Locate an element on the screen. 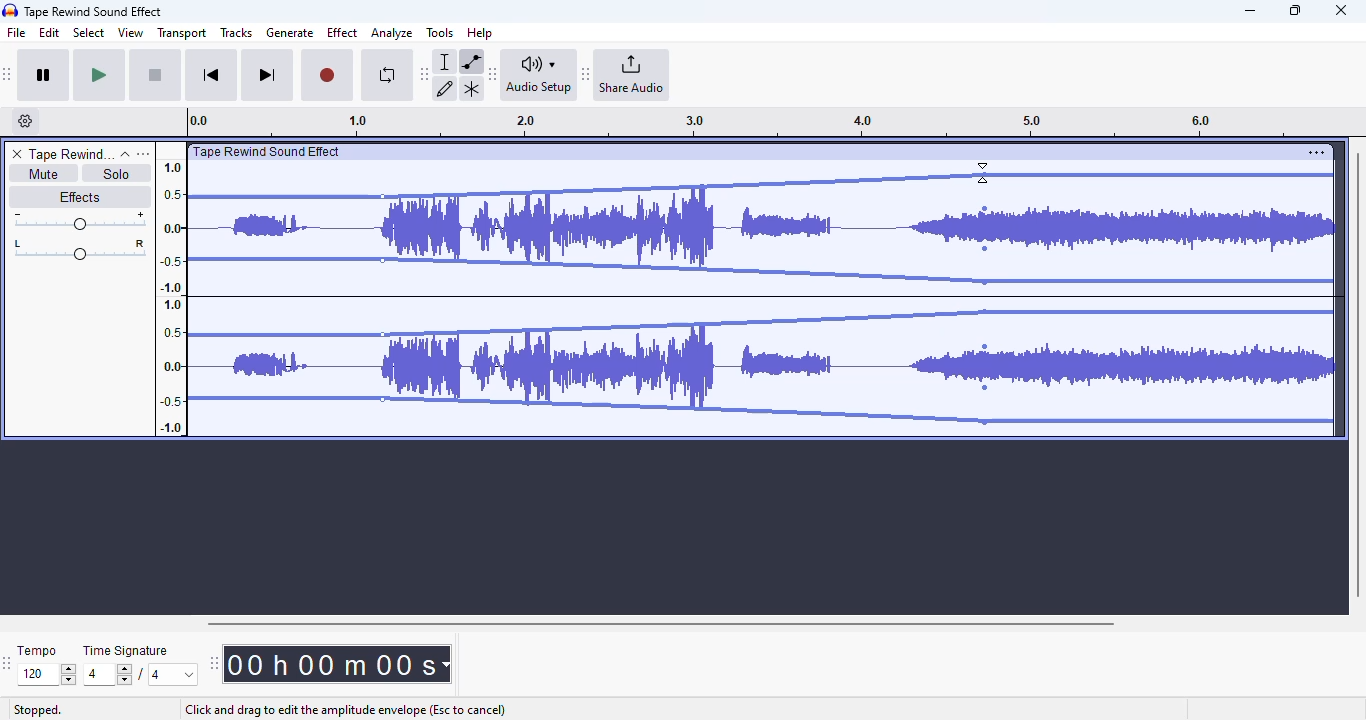 The height and width of the screenshot is (720, 1366). minimize is located at coordinates (1250, 11).